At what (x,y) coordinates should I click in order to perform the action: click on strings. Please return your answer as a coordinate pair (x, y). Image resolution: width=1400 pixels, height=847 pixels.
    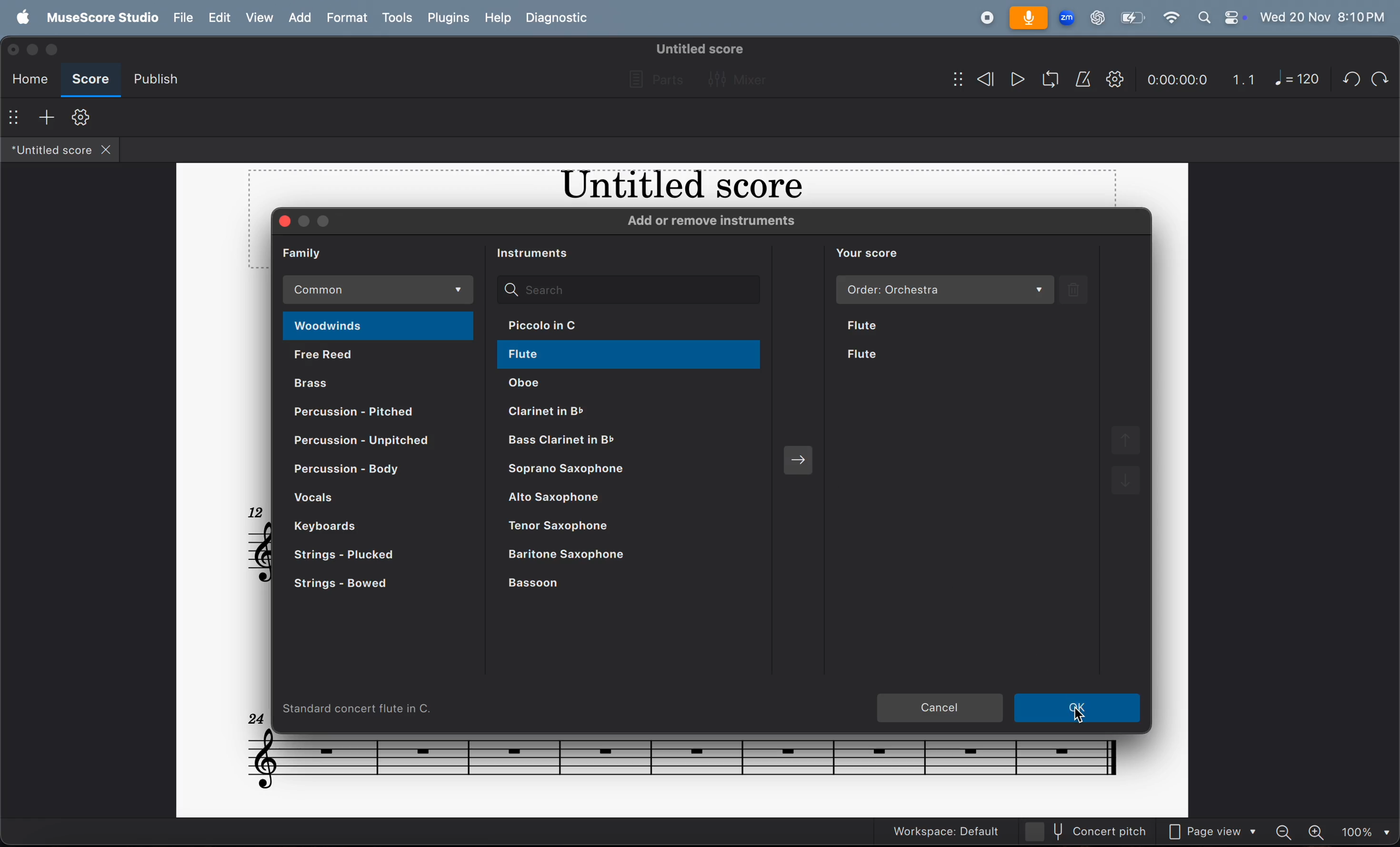
    Looking at the image, I should click on (369, 555).